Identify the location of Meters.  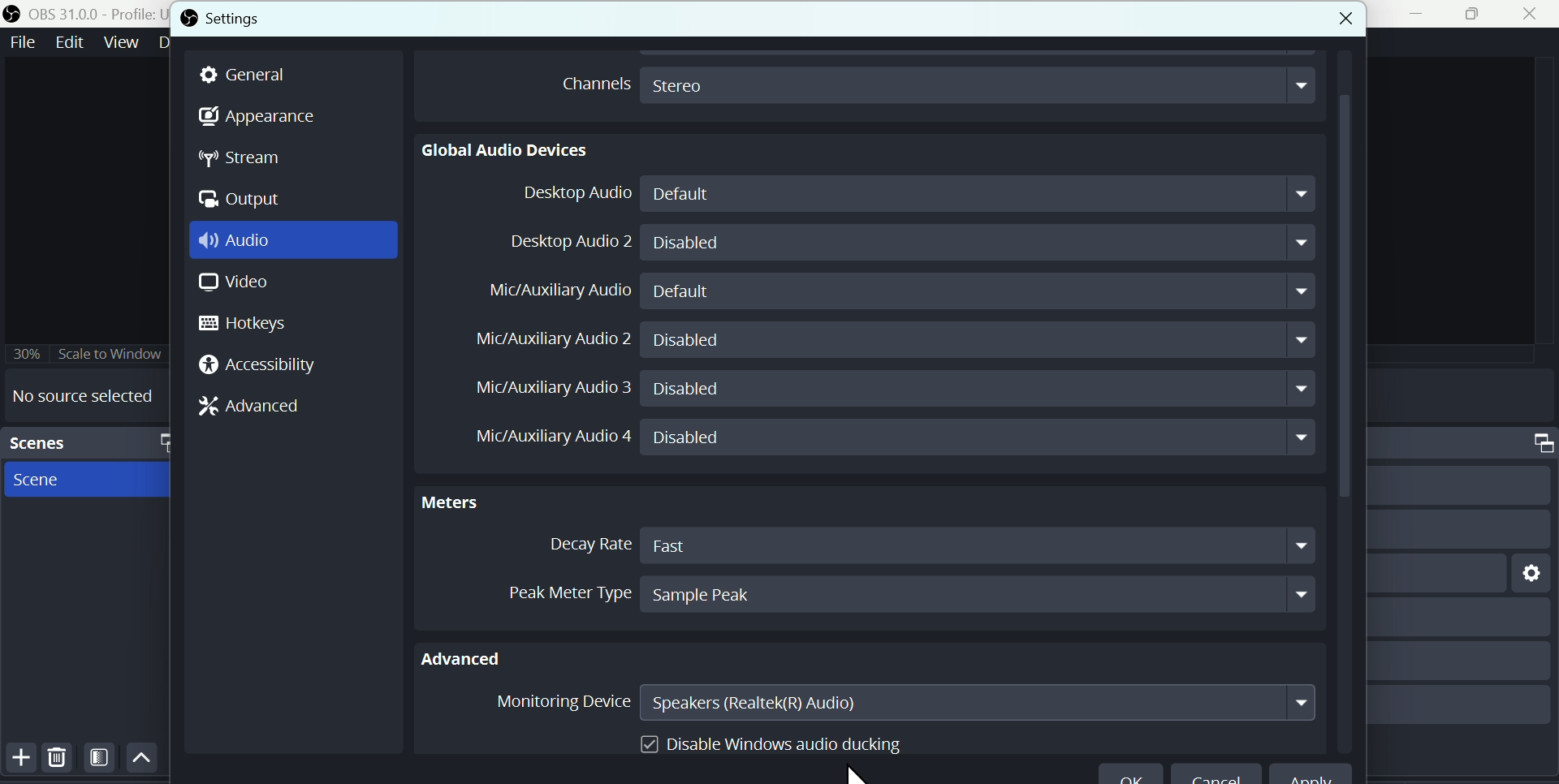
(463, 500).